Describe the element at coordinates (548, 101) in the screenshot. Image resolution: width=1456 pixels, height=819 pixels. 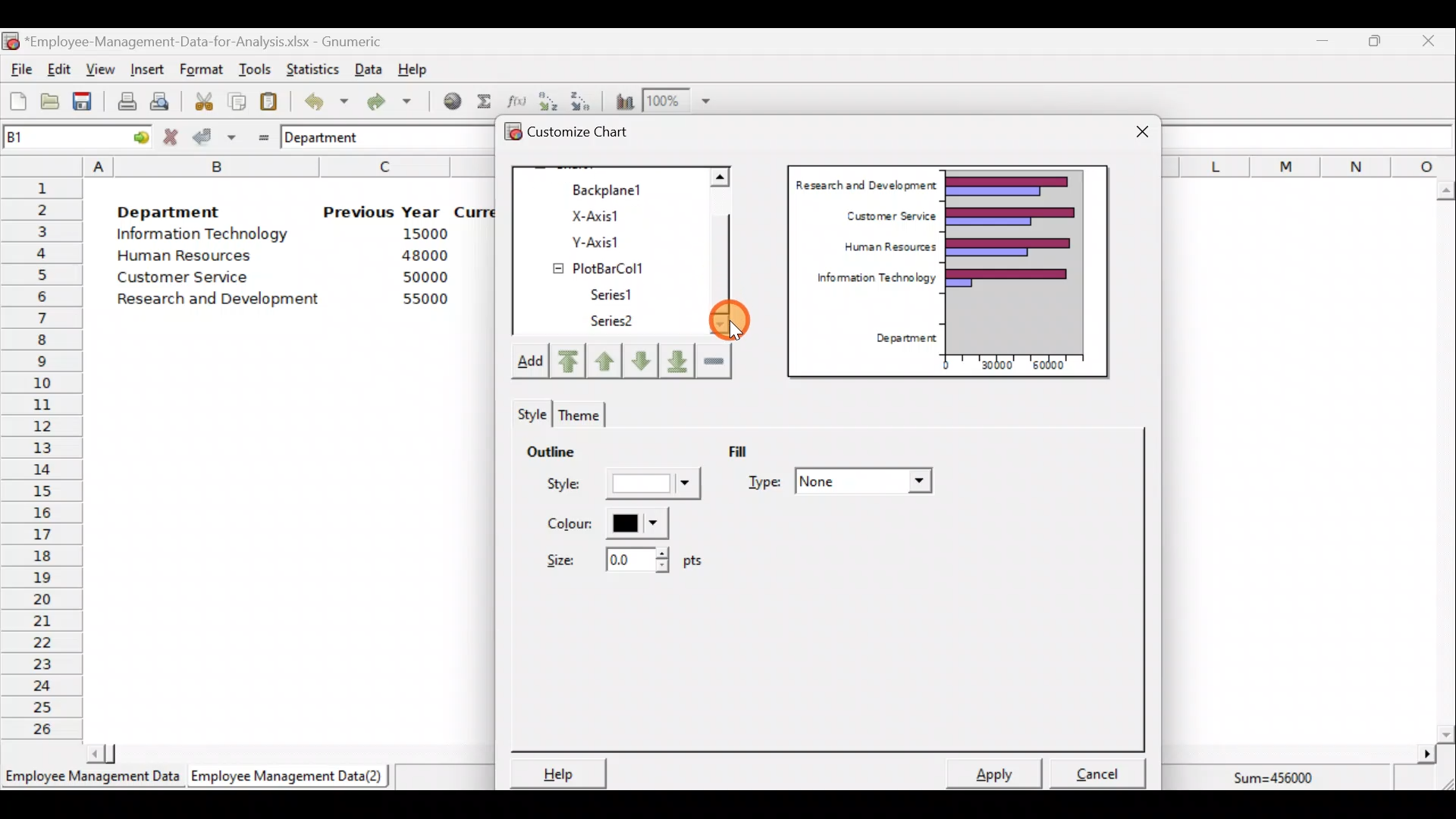
I see `Sort in Ascending order` at that location.